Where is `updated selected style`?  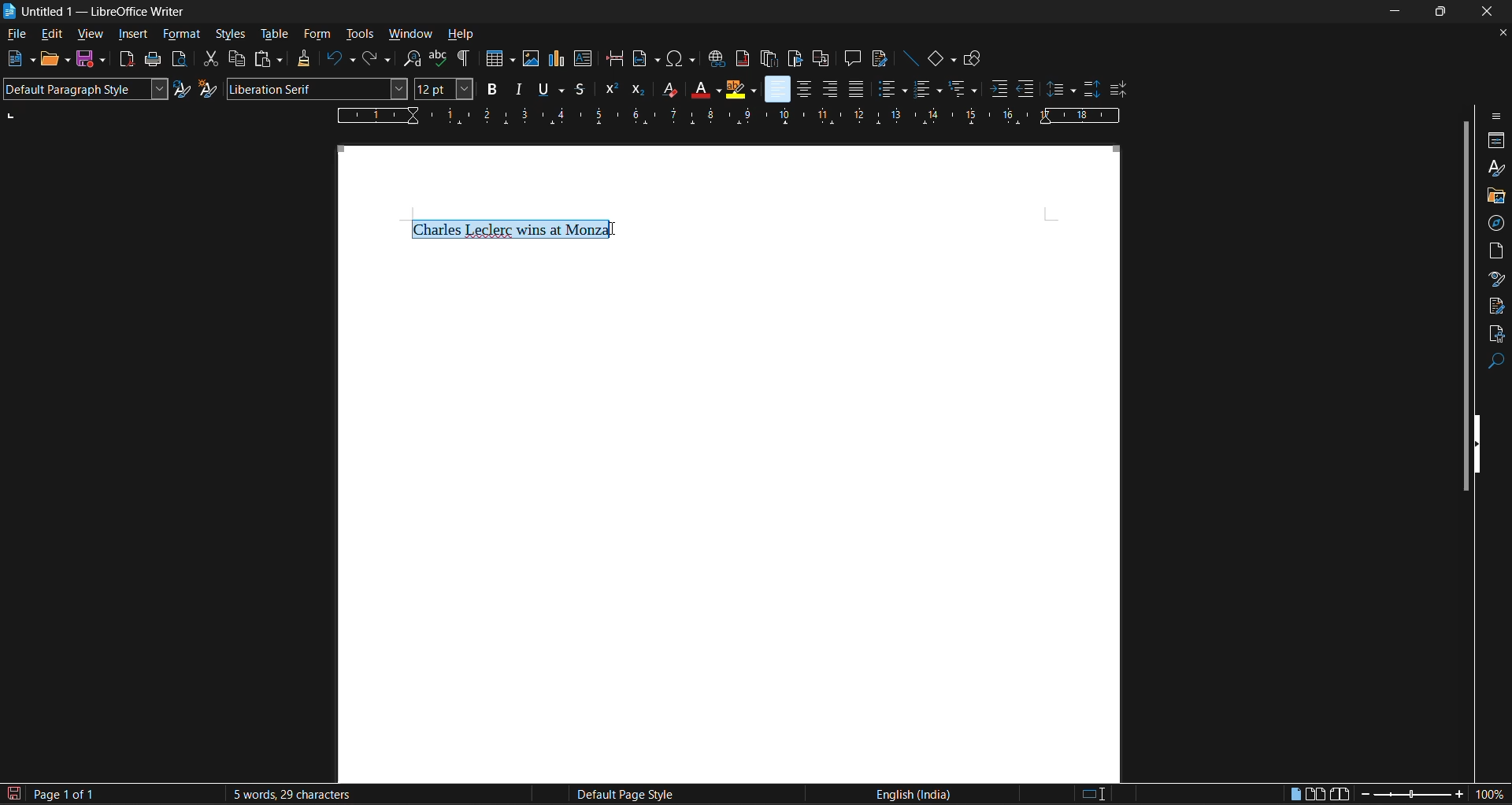 updated selected style is located at coordinates (183, 89).